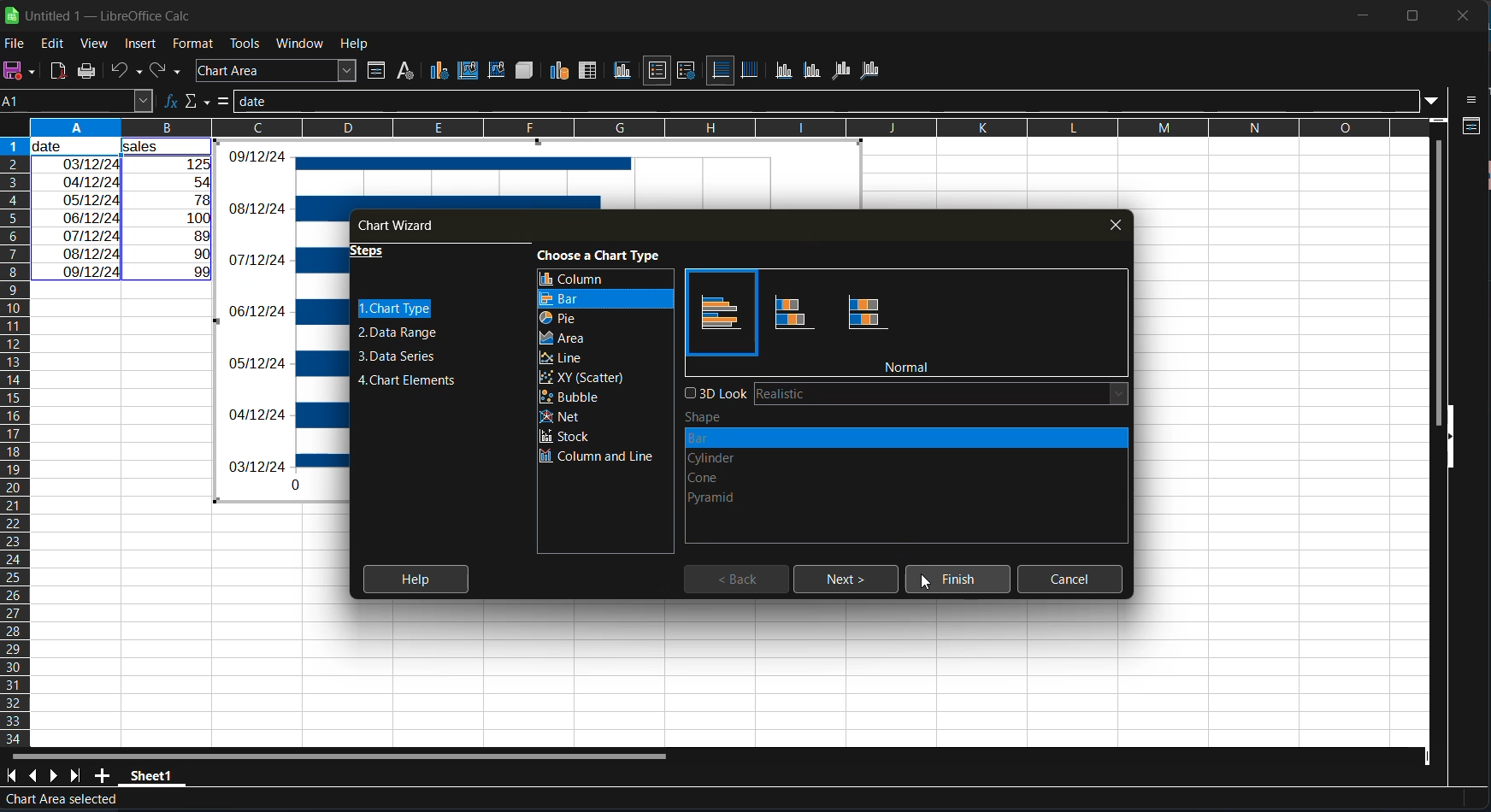 This screenshot has width=1491, height=812. I want to click on normal, so click(911, 368).